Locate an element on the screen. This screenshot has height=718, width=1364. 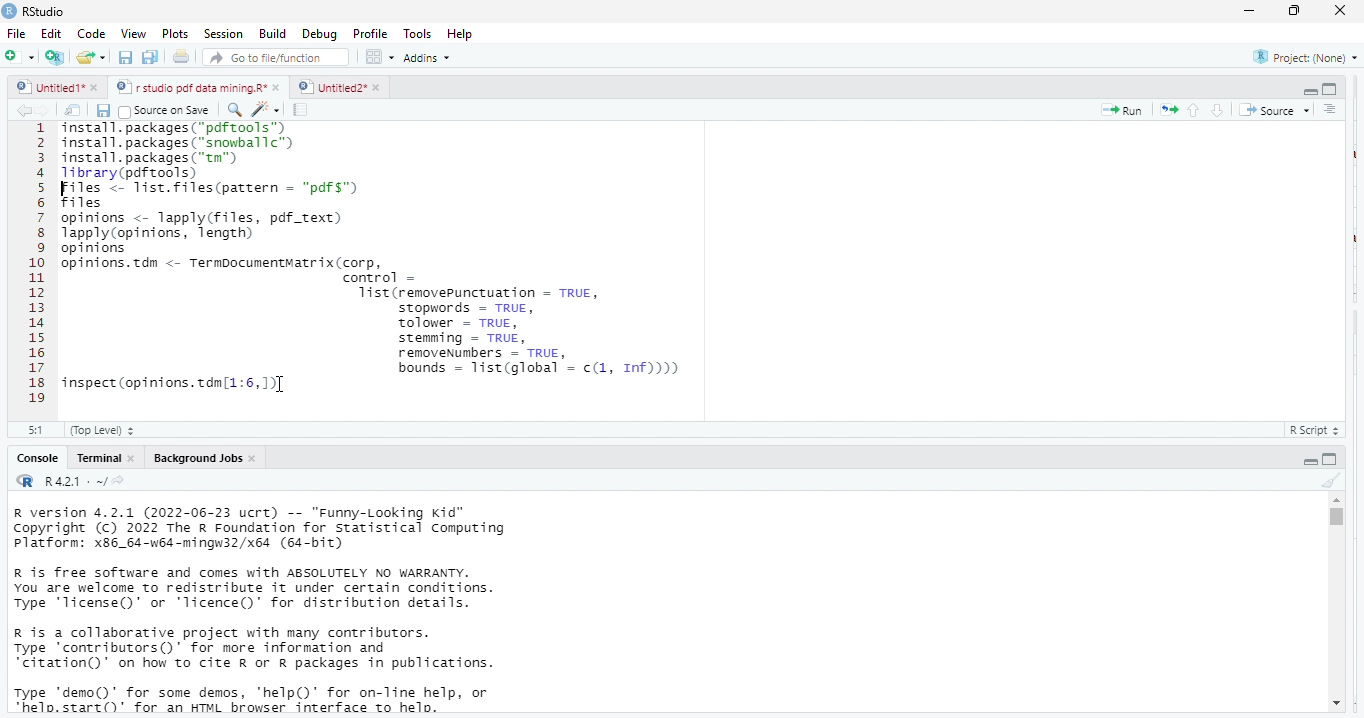
file is located at coordinates (18, 33).